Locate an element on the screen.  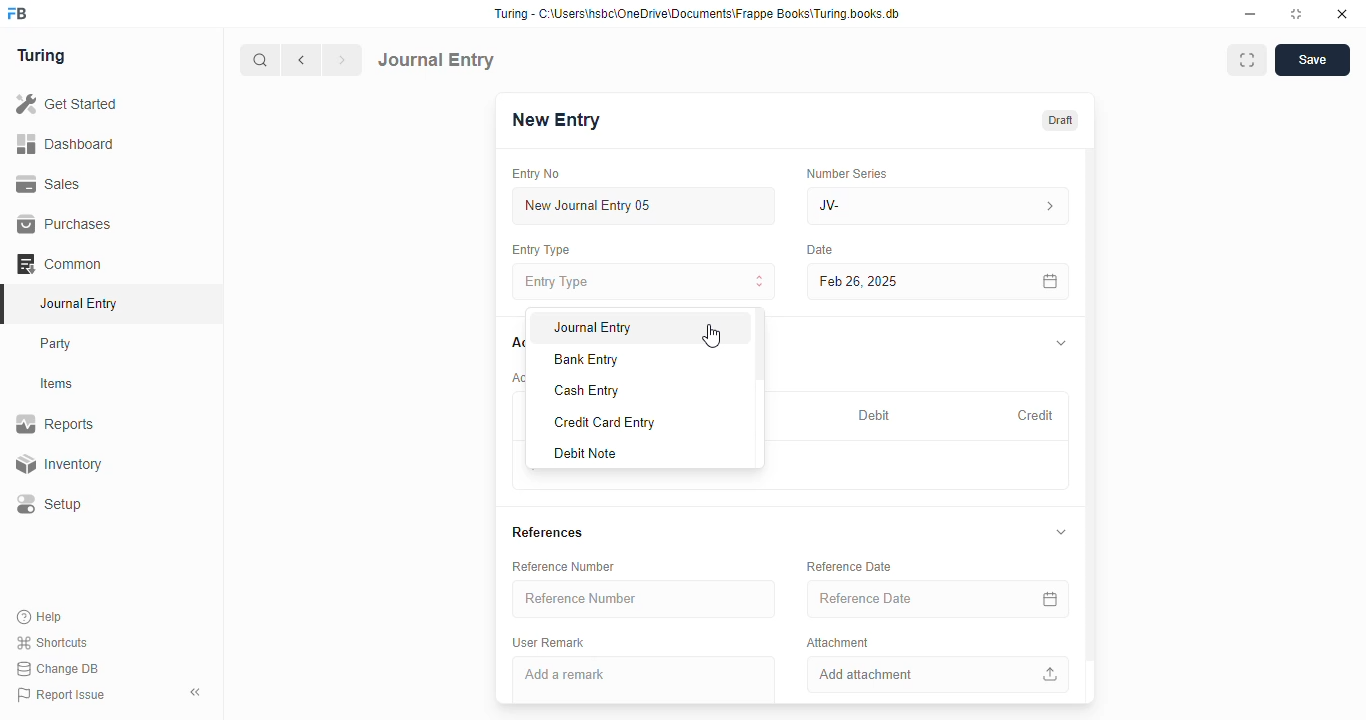
entry no is located at coordinates (537, 174).